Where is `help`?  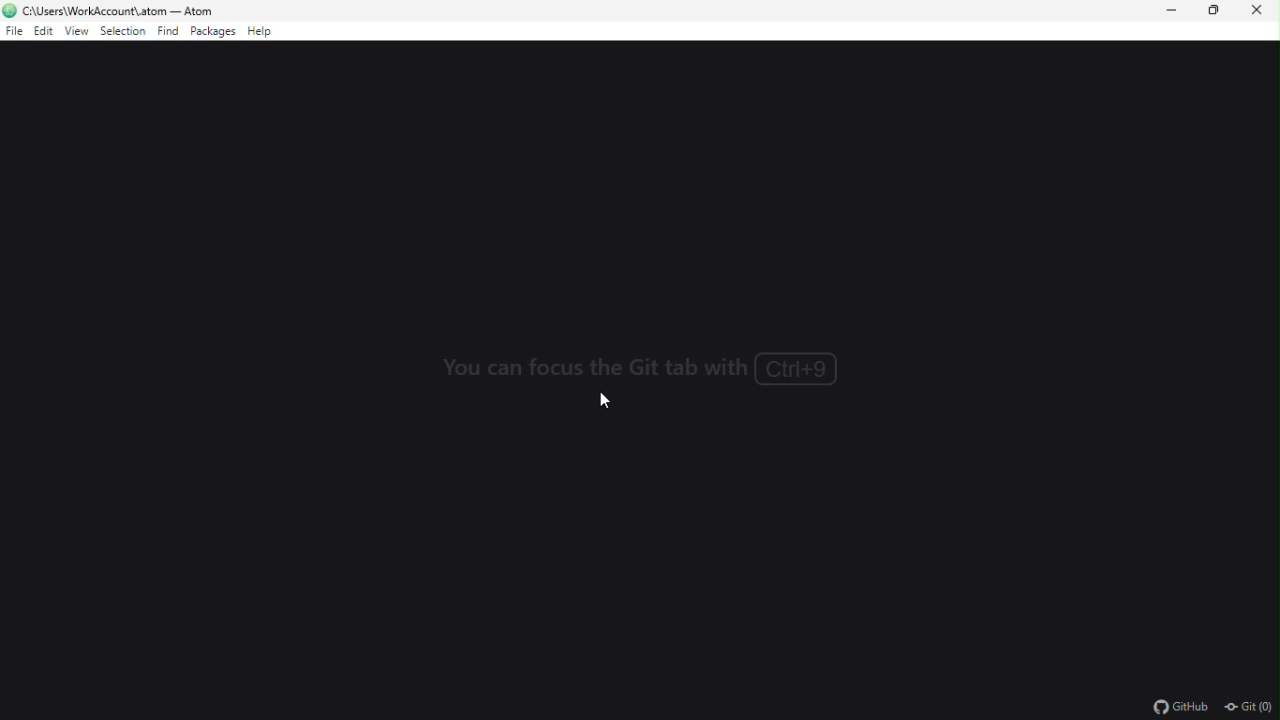 help is located at coordinates (262, 33).